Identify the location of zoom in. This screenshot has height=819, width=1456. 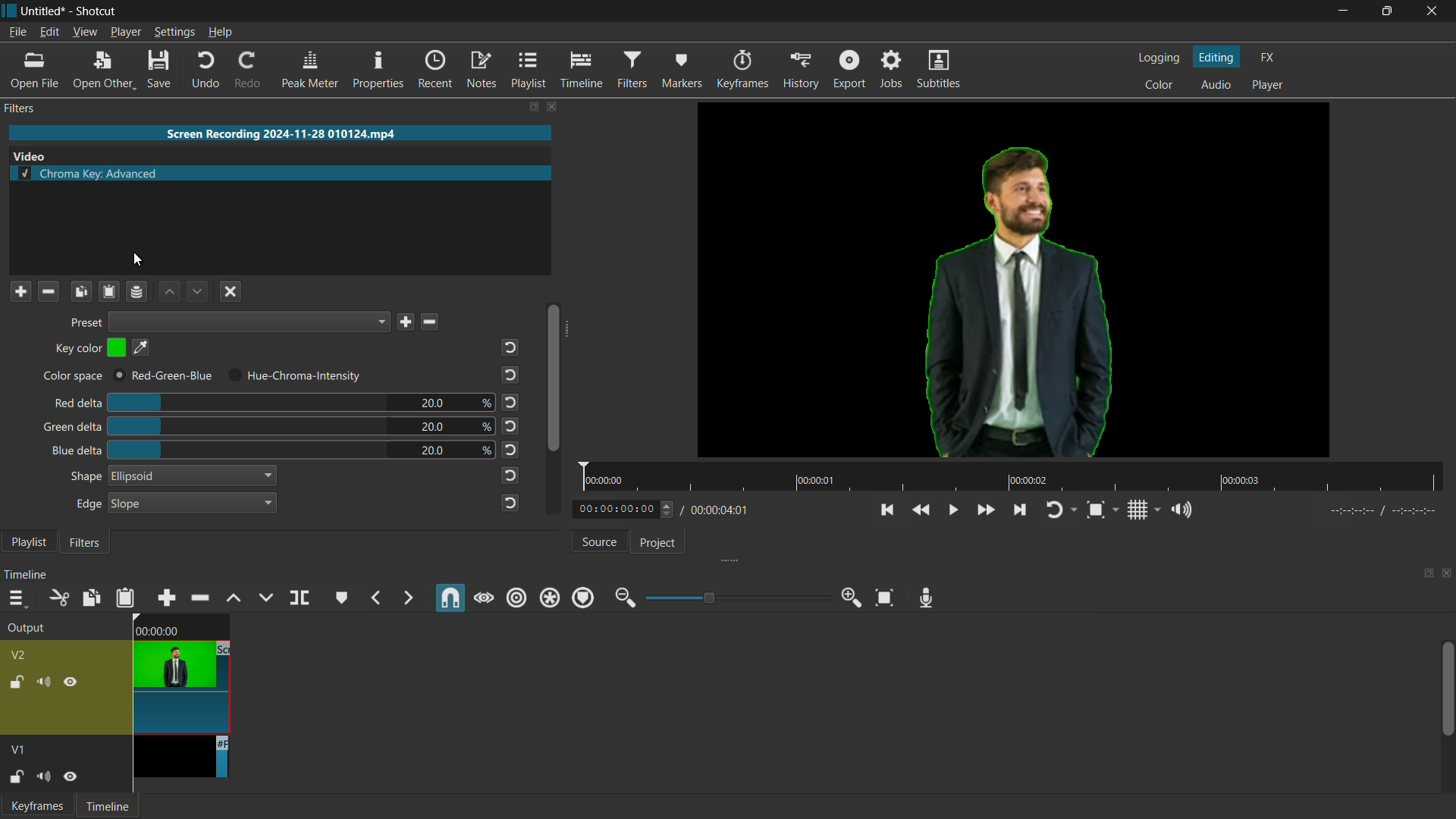
(852, 598).